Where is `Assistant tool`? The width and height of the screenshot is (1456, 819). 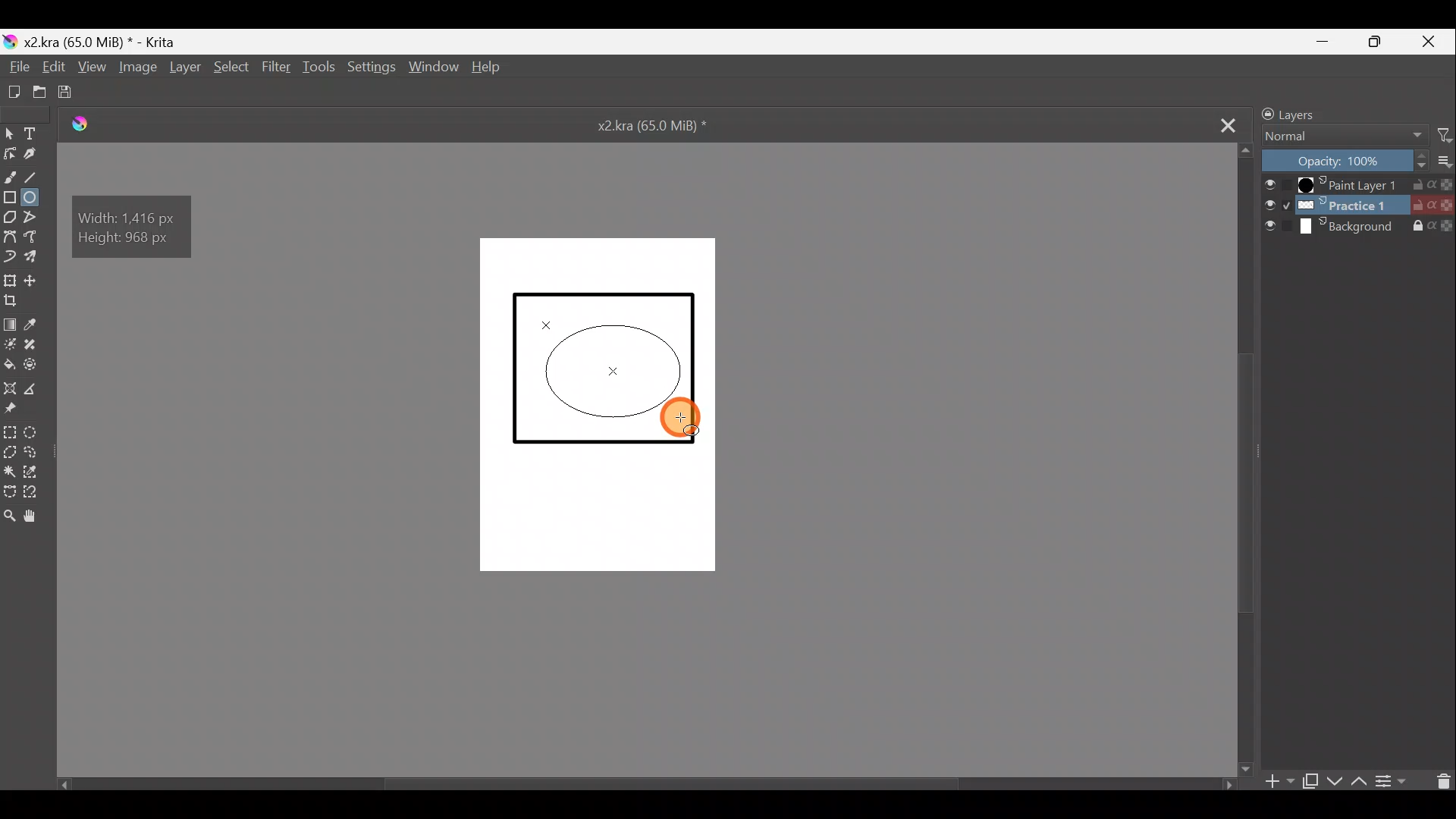
Assistant tool is located at coordinates (11, 386).